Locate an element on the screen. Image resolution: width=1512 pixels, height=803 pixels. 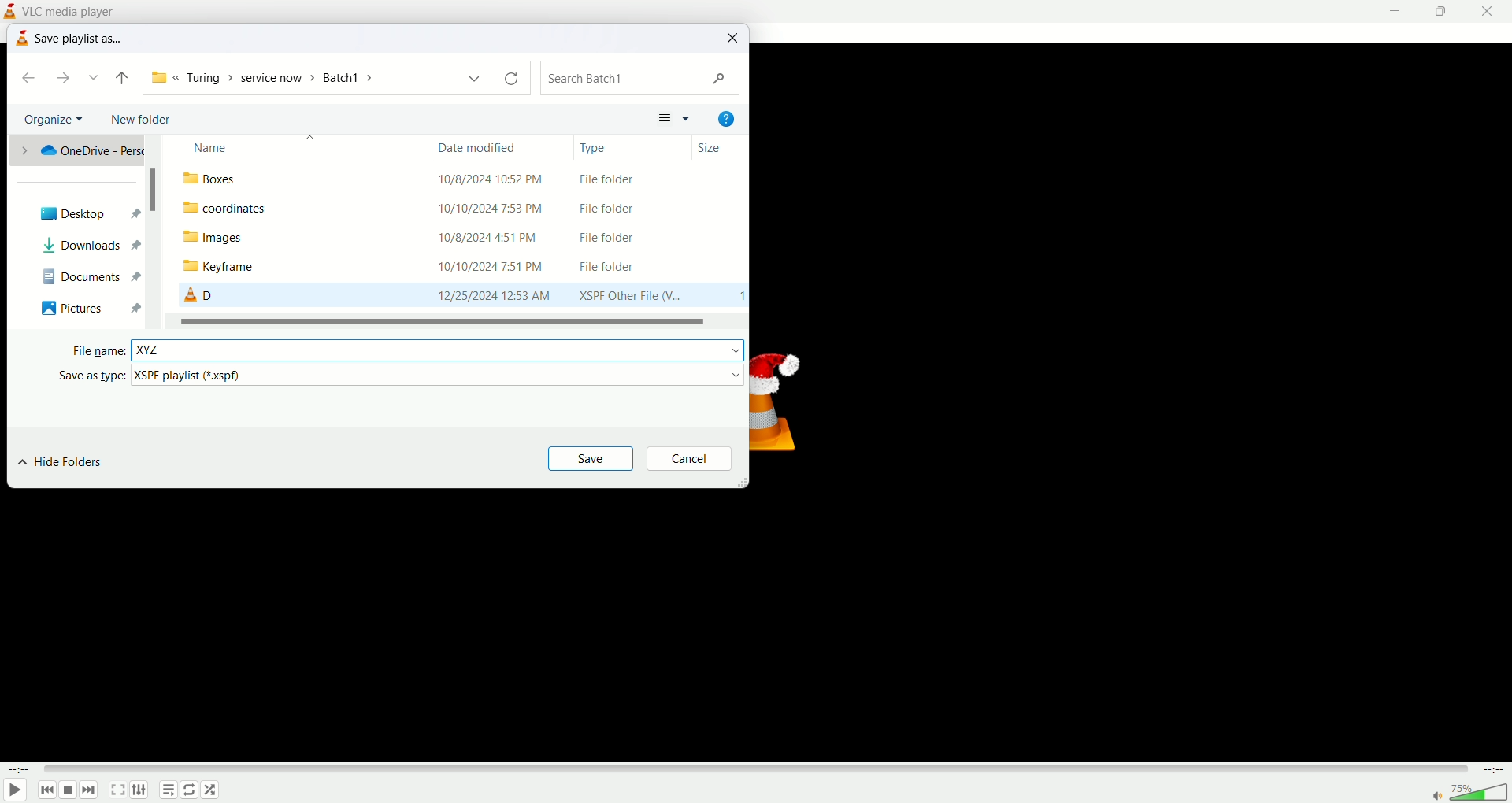
Address bar is located at coordinates (335, 77).